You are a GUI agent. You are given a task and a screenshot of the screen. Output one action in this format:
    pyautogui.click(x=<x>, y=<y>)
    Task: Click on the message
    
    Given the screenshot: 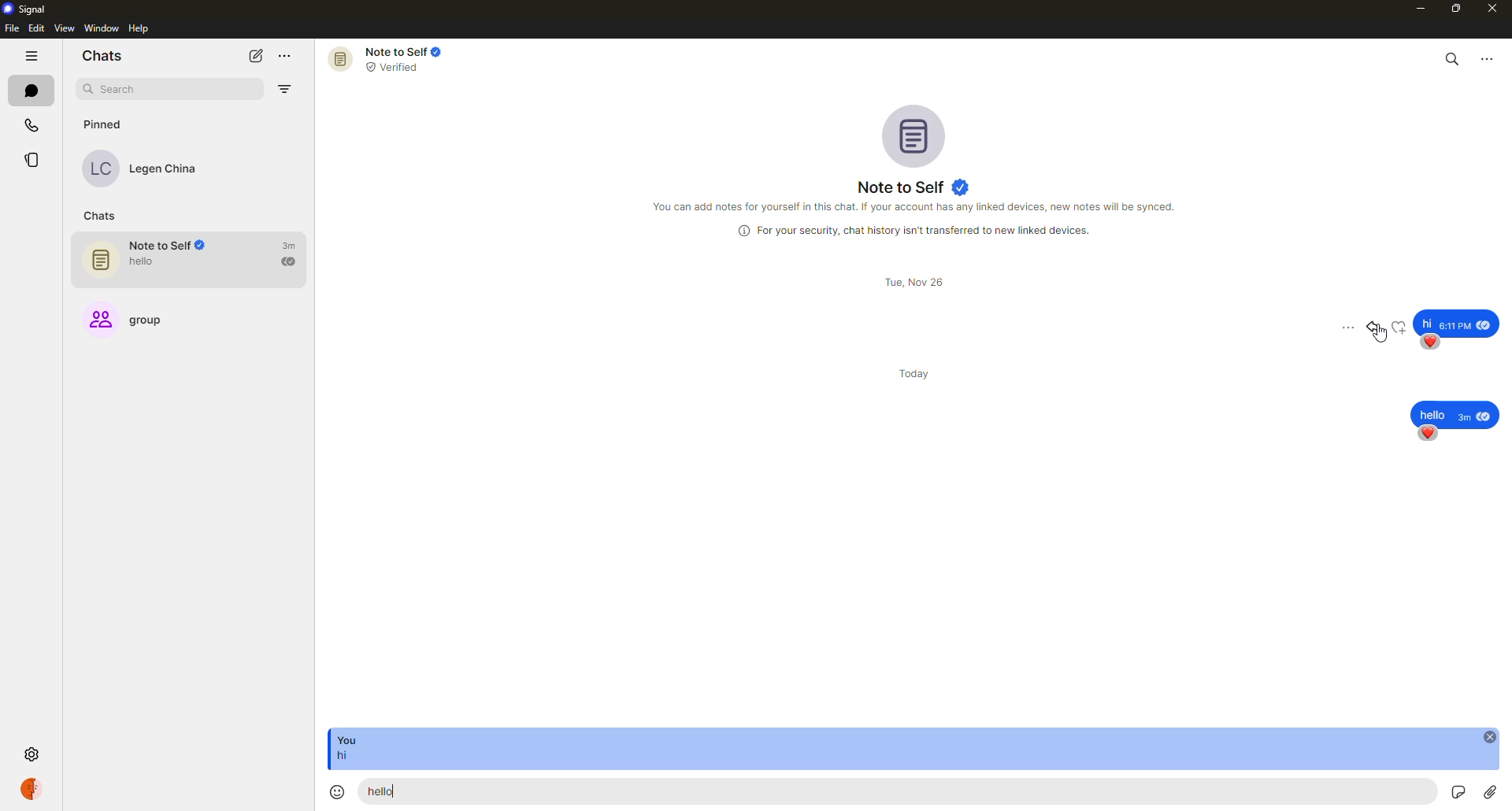 What is the action you would take?
    pyautogui.click(x=1457, y=414)
    